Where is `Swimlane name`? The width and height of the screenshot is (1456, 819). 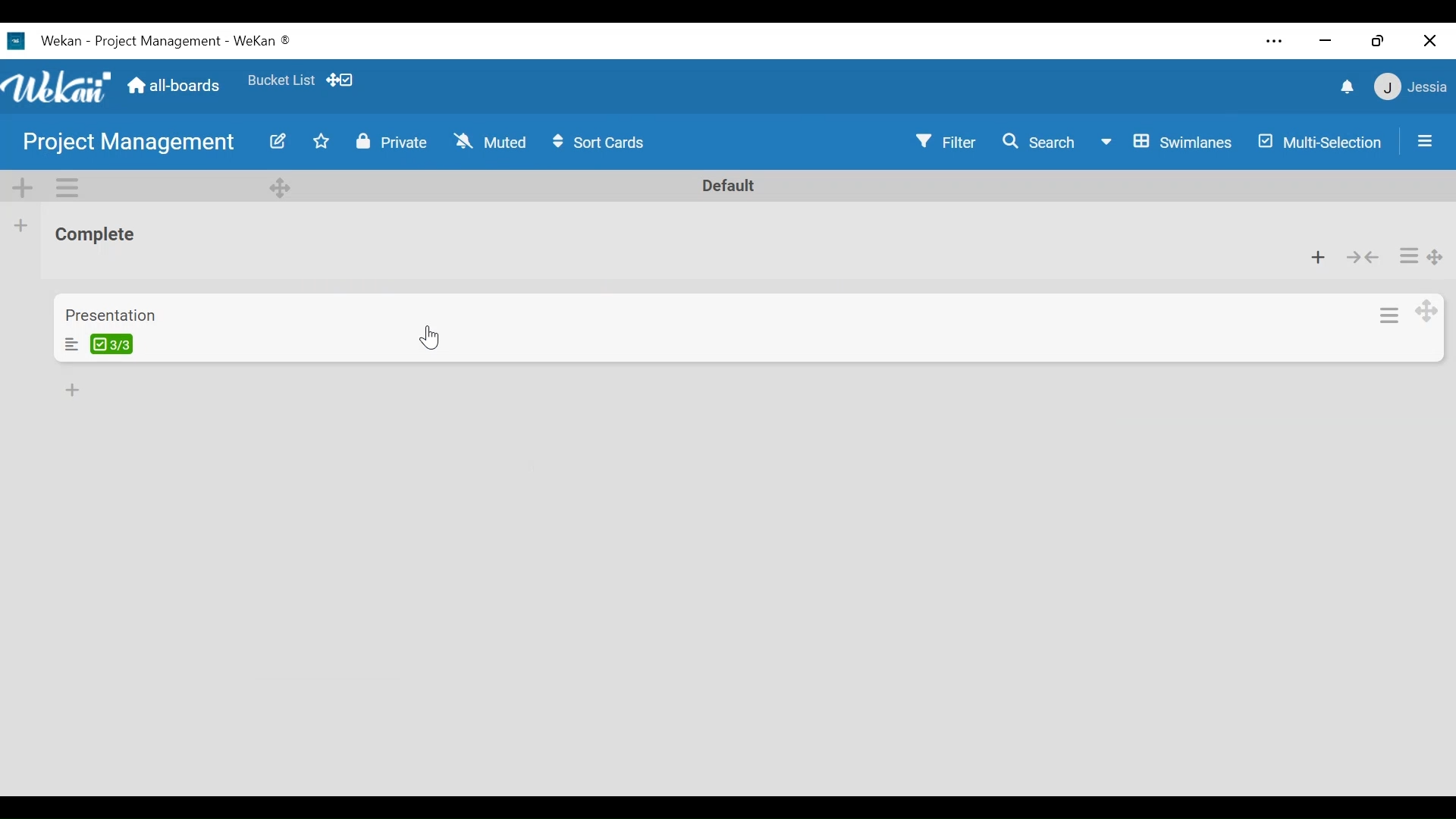
Swimlane name is located at coordinates (729, 186).